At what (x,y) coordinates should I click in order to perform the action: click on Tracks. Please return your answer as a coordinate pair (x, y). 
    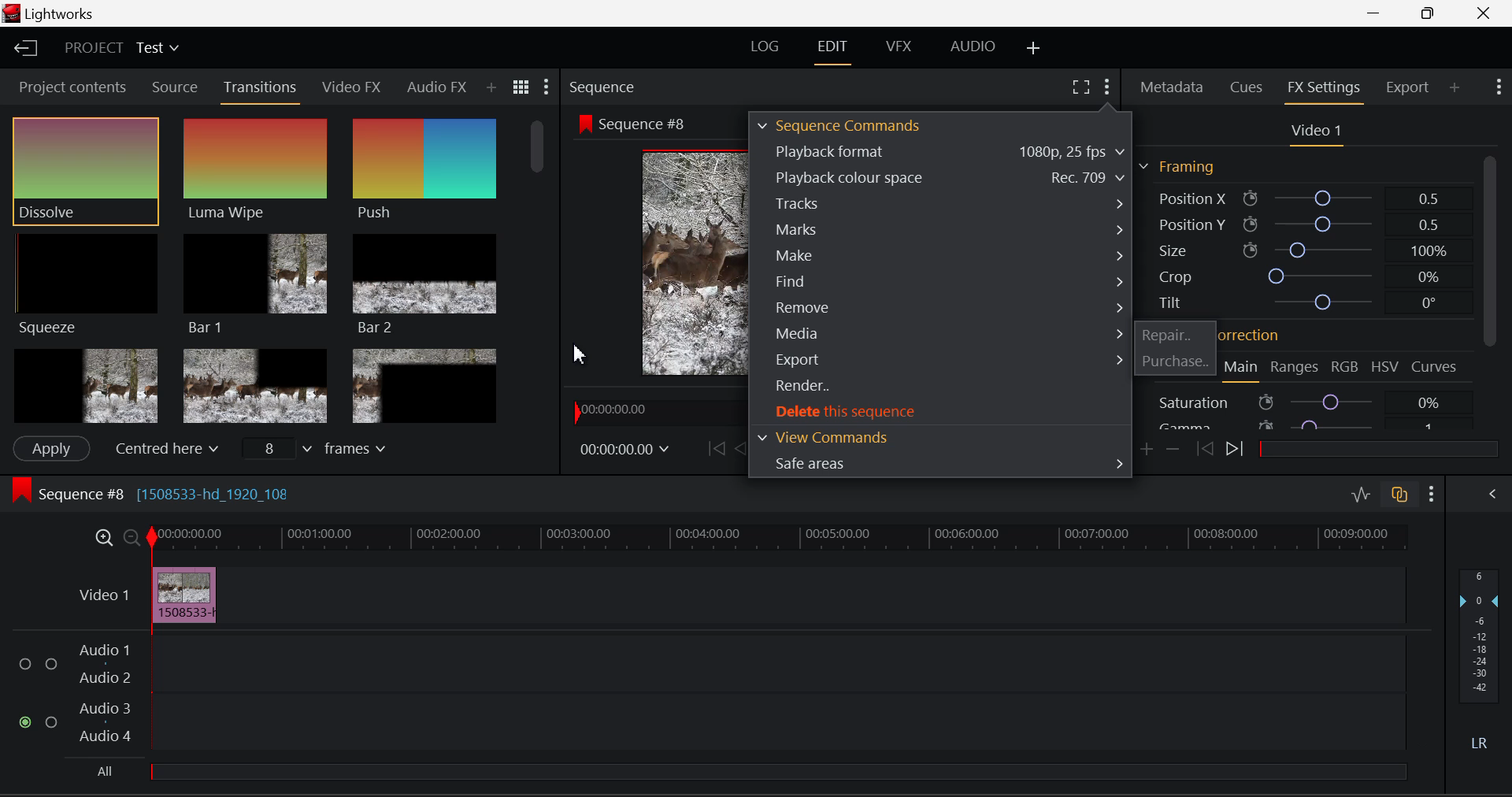
    Looking at the image, I should click on (942, 202).